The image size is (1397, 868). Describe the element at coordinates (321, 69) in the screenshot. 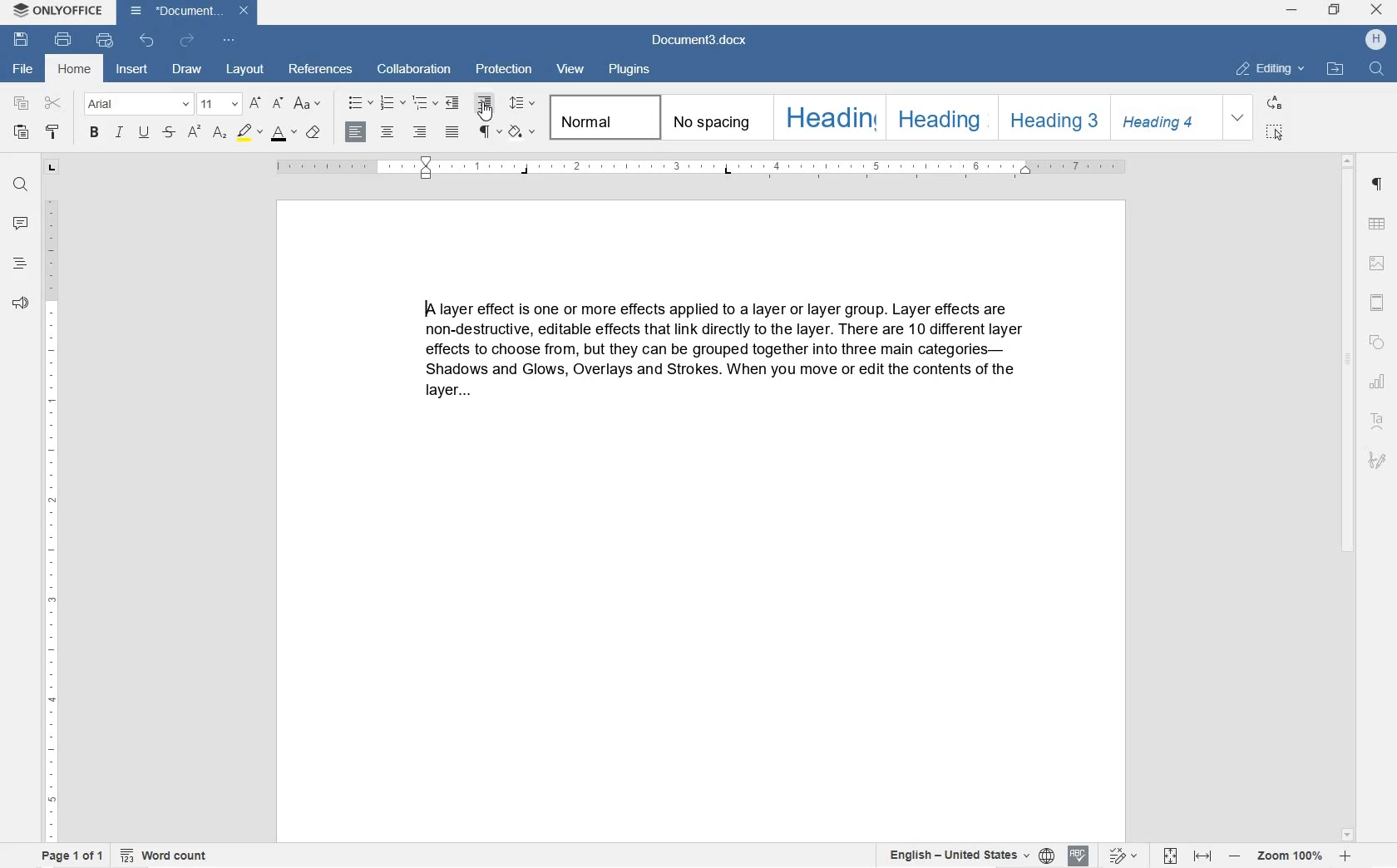

I see `EFERENCES` at that location.